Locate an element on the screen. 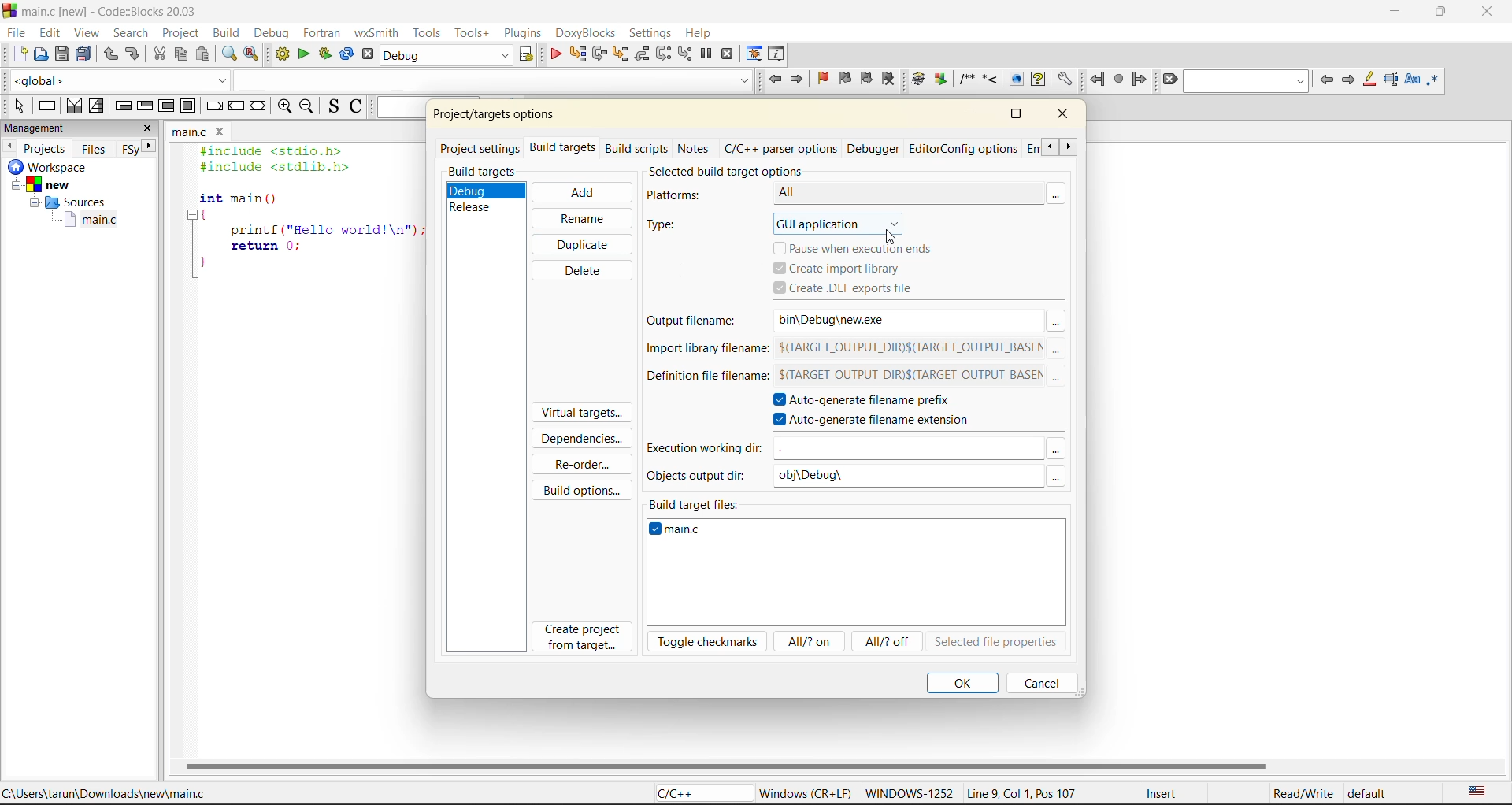 This screenshot has height=805, width=1512. release is located at coordinates (476, 207).